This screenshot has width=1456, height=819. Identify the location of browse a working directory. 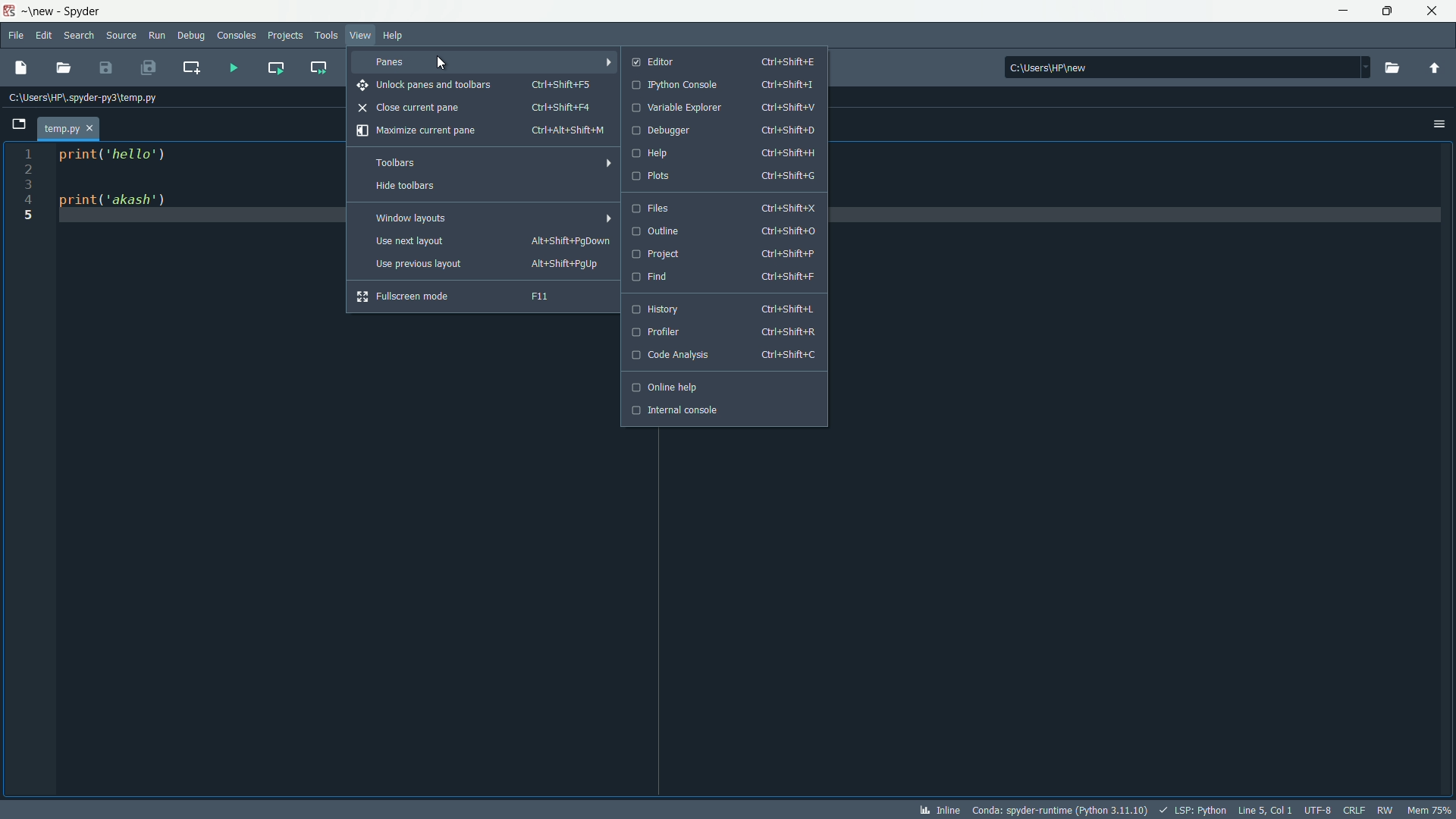
(1395, 67).